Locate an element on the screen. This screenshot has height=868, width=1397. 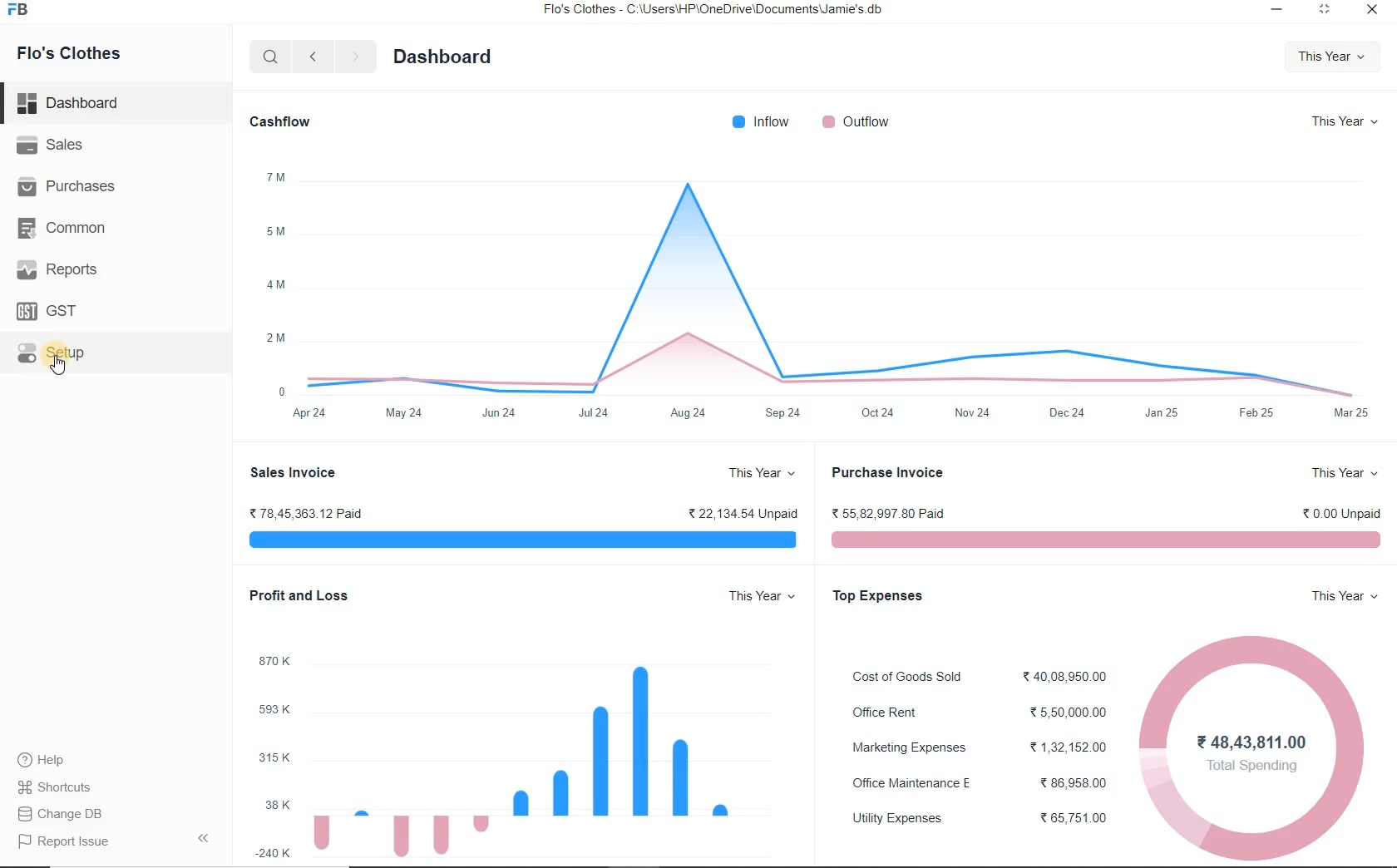
Search is located at coordinates (271, 56).